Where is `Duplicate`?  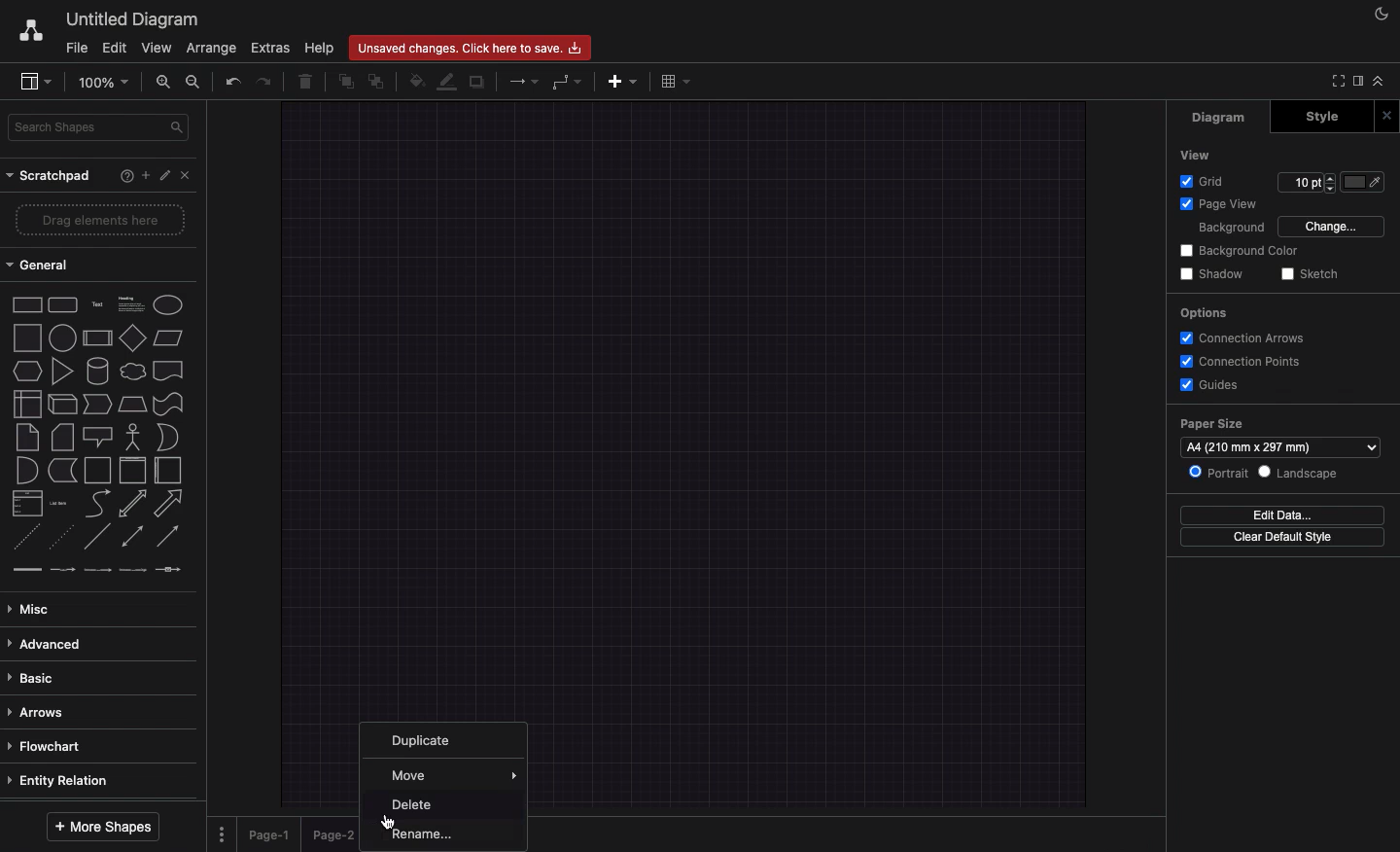 Duplicate is located at coordinates (427, 737).